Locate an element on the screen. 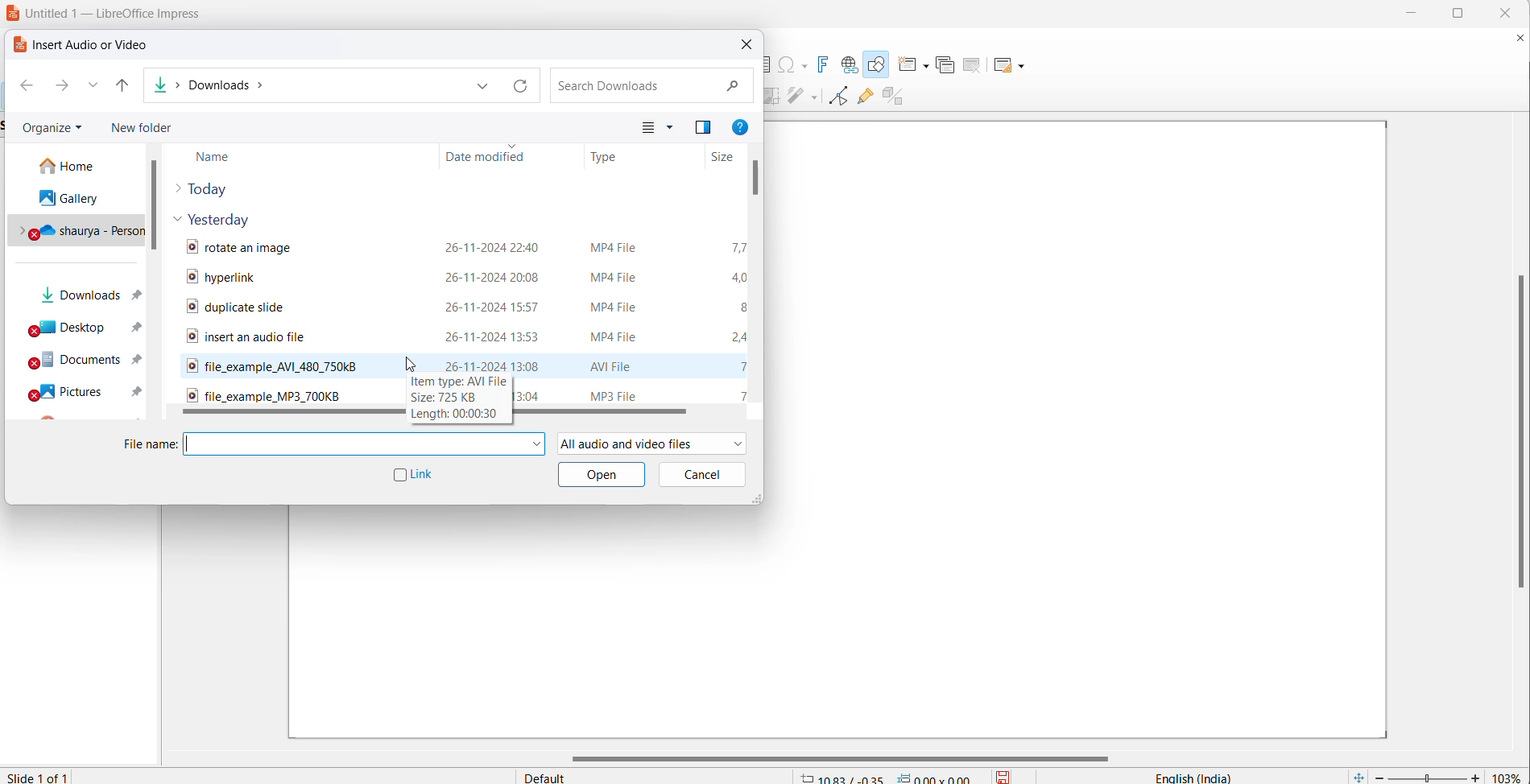 The image size is (1530, 784). toggle endpoint edit mode is located at coordinates (843, 98).